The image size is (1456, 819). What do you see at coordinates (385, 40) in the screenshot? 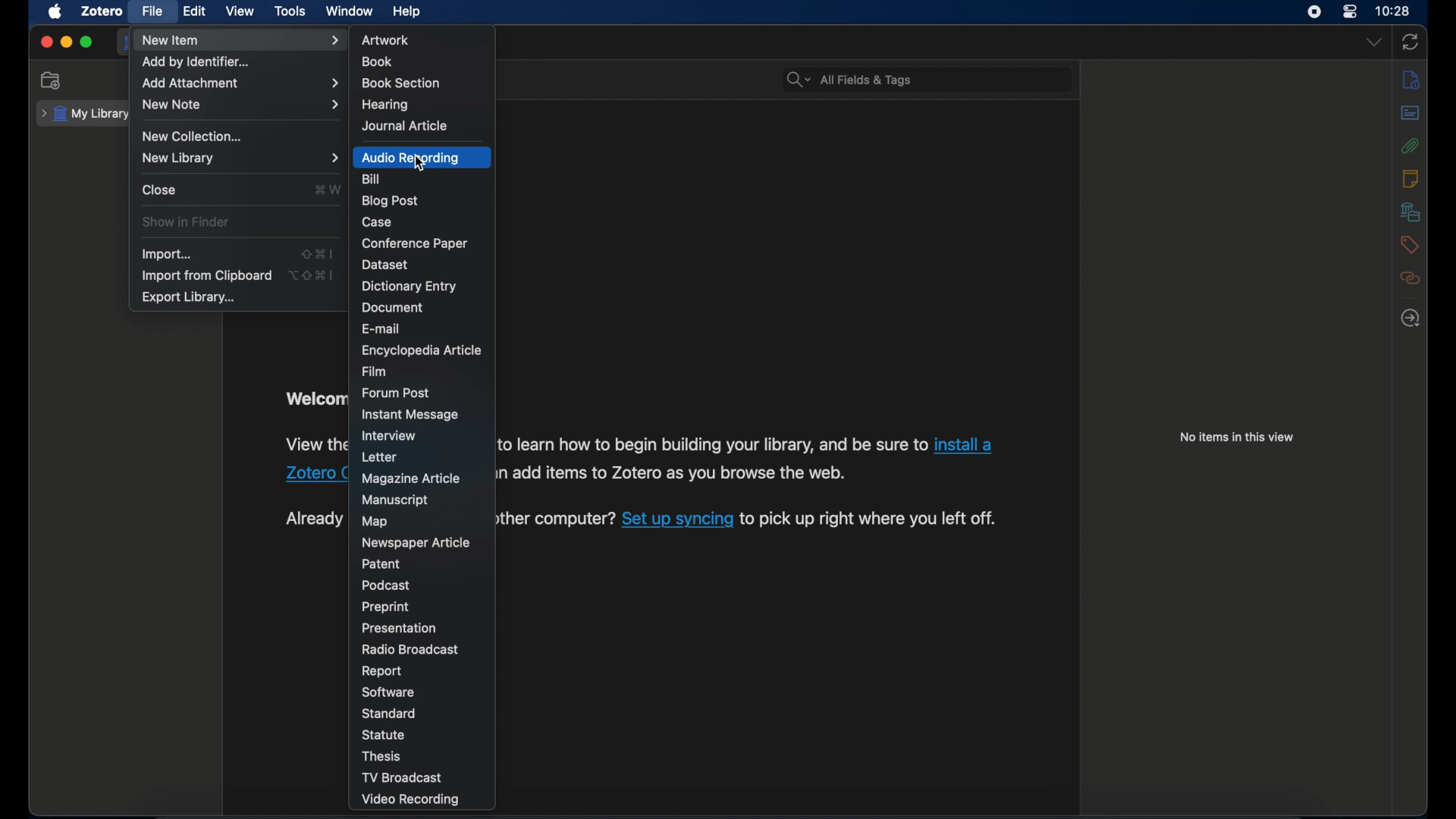
I see `artwork` at bounding box center [385, 40].